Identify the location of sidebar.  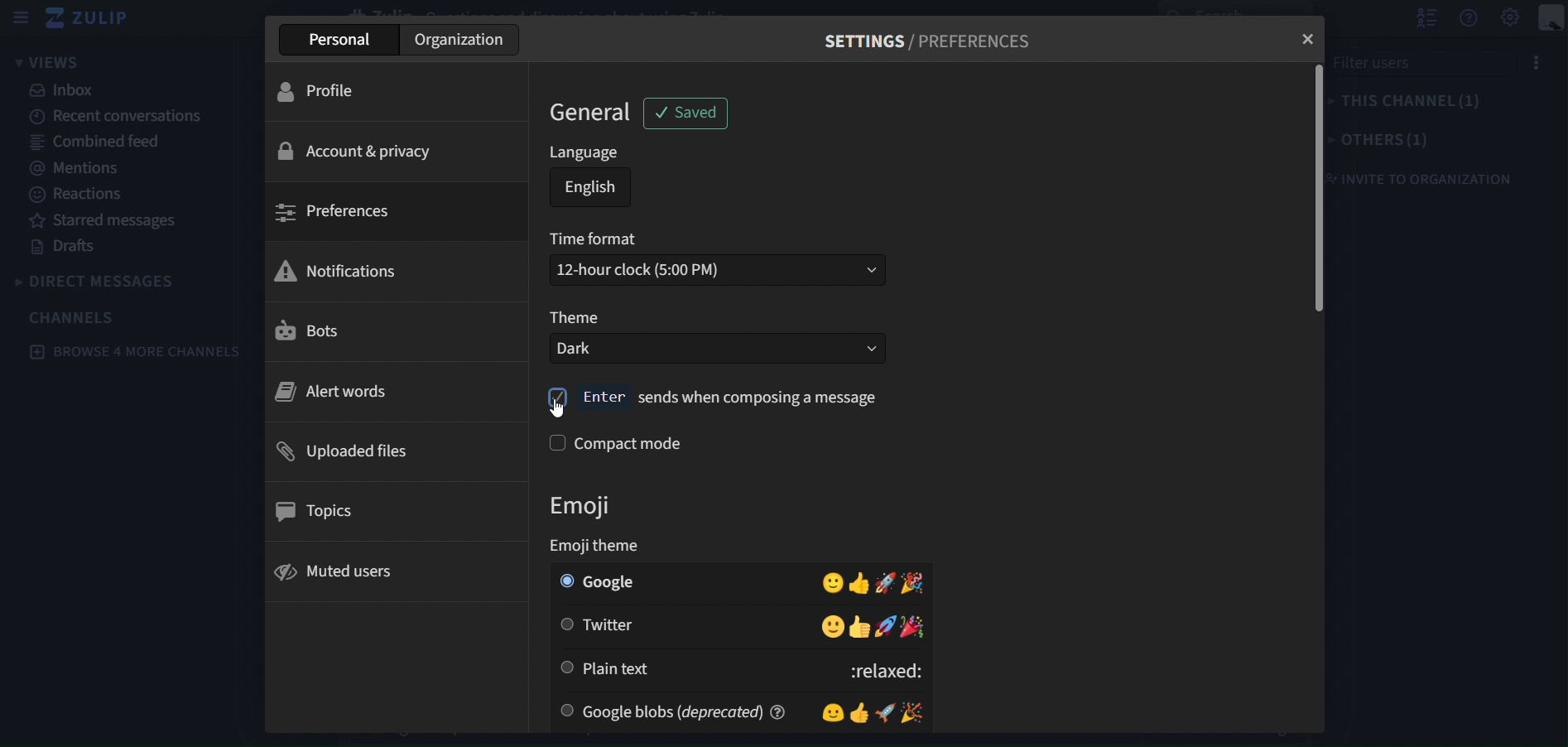
(22, 17).